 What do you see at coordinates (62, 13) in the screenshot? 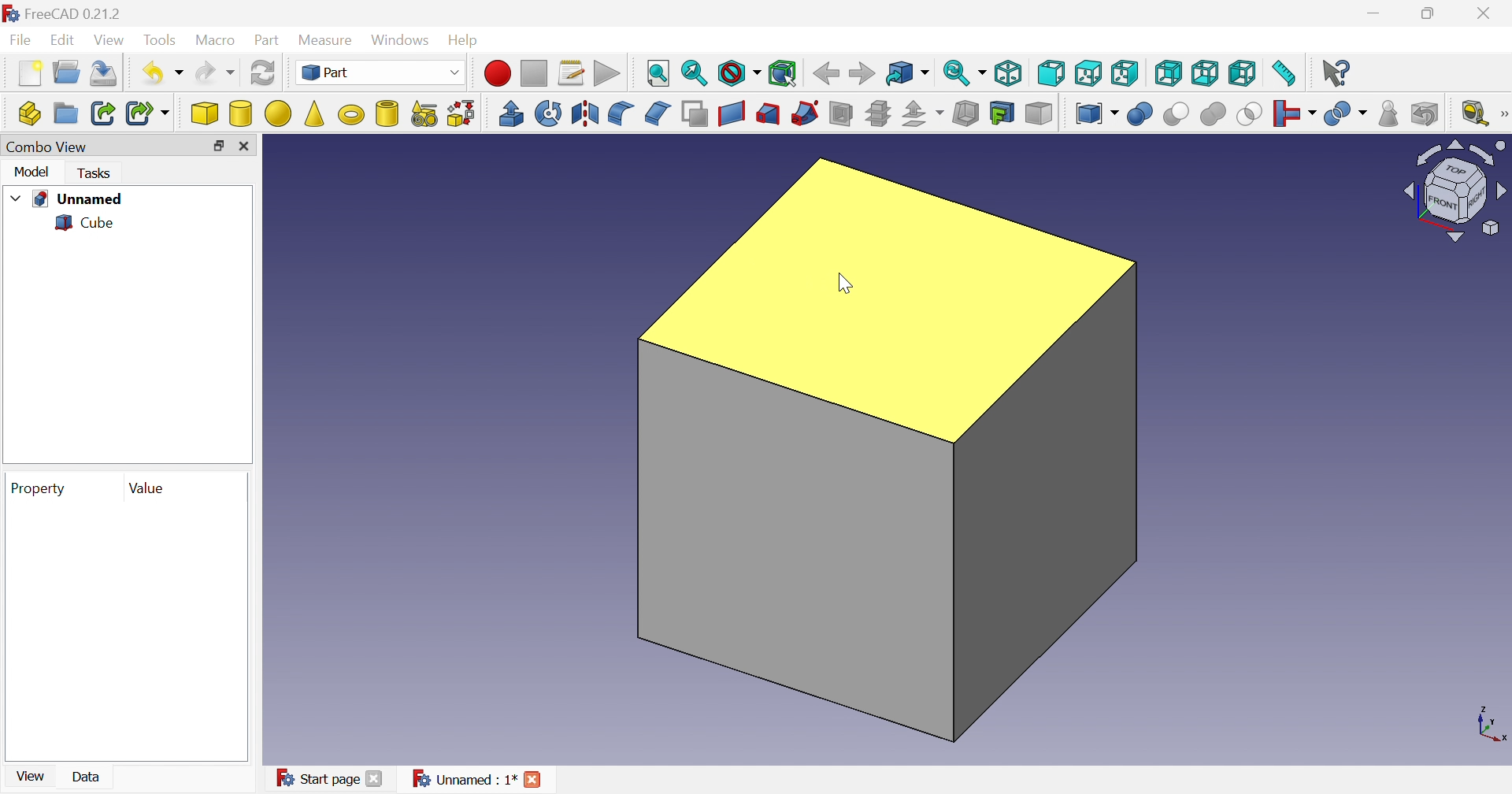
I see `FreeCAD 0.21.2` at bounding box center [62, 13].